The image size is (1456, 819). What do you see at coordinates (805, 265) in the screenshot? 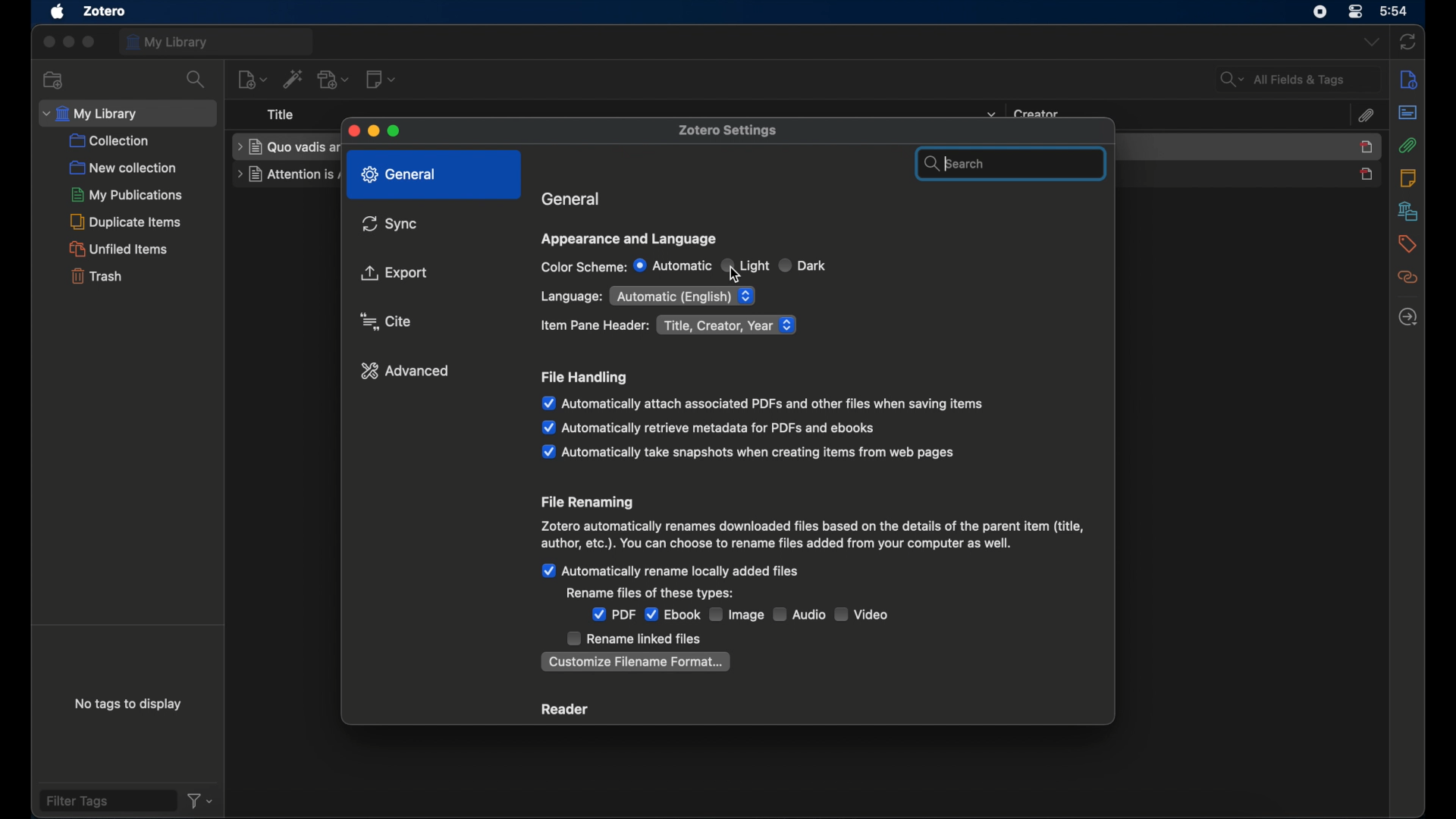
I see `dark radio button` at bounding box center [805, 265].